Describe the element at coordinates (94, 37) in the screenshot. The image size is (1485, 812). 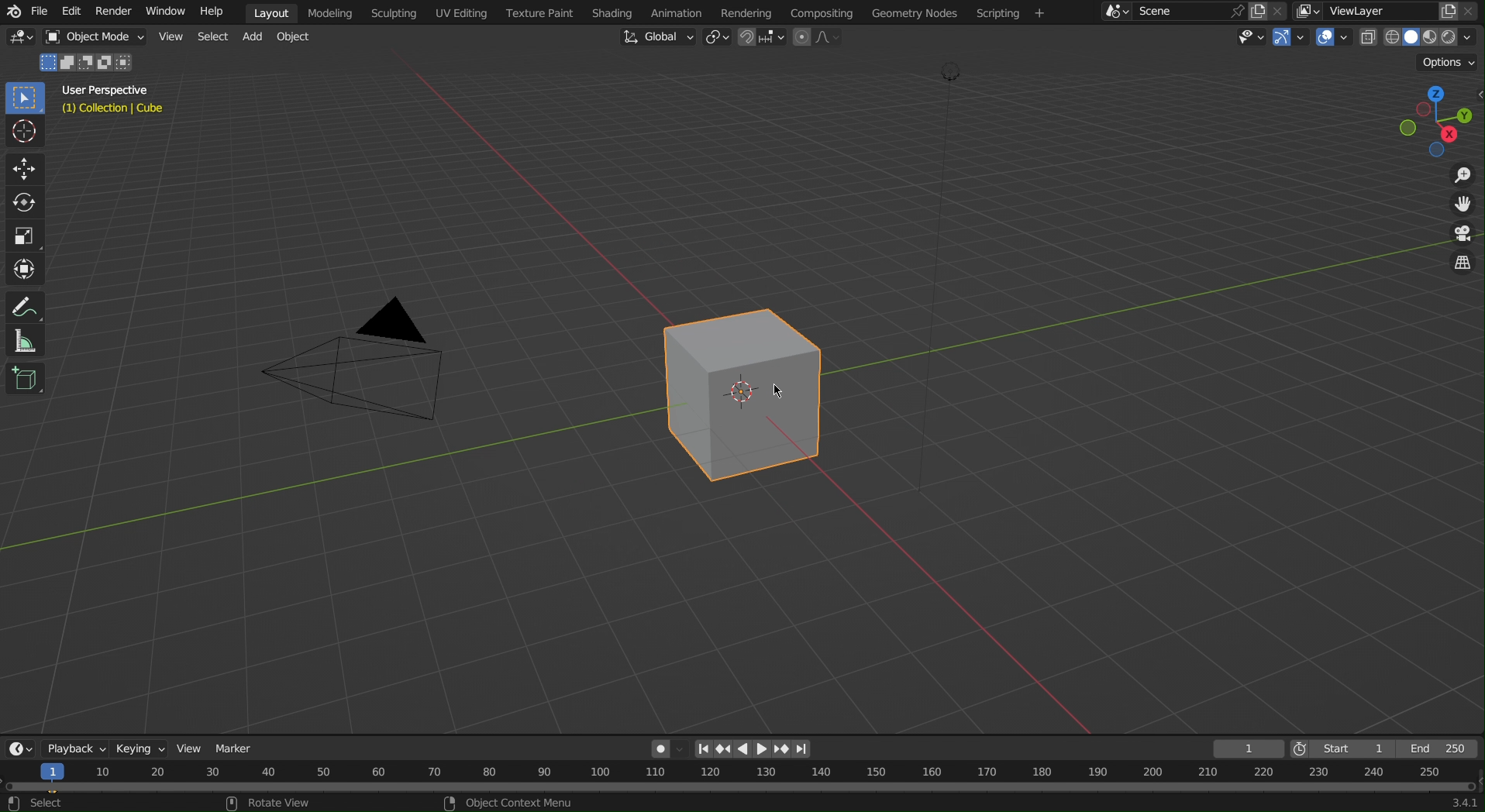
I see `Object Mode` at that location.